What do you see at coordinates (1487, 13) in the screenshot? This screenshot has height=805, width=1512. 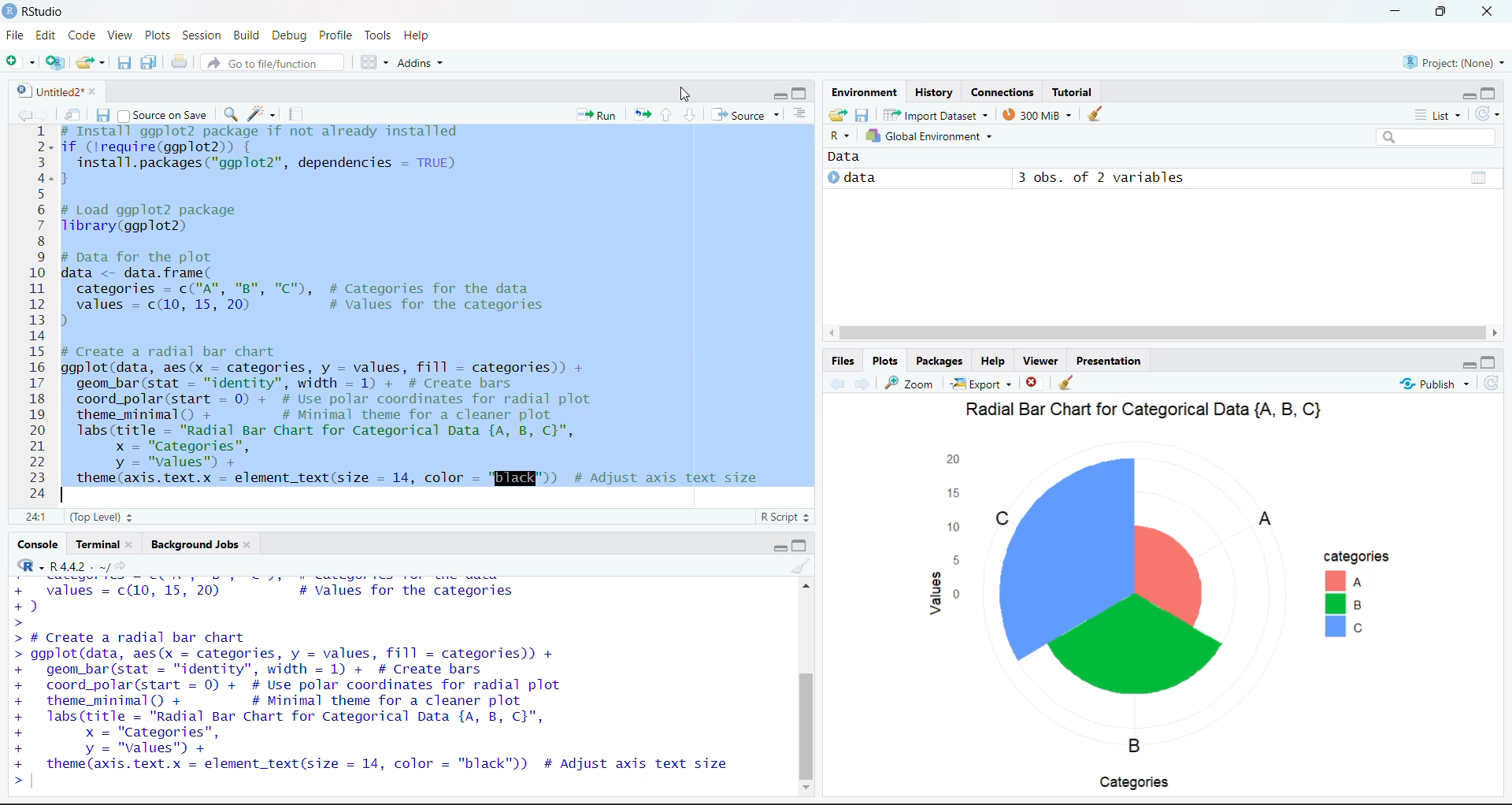 I see `close` at bounding box center [1487, 13].